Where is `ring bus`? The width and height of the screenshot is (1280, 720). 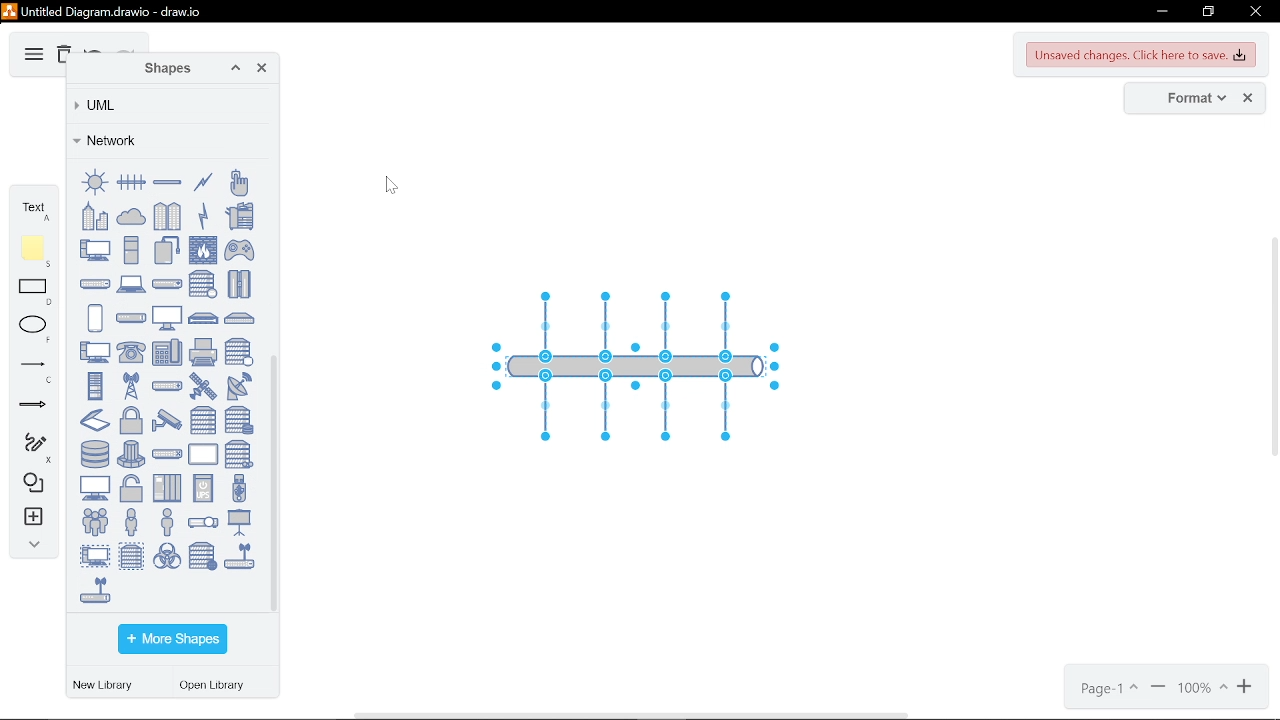 ring bus is located at coordinates (95, 182).